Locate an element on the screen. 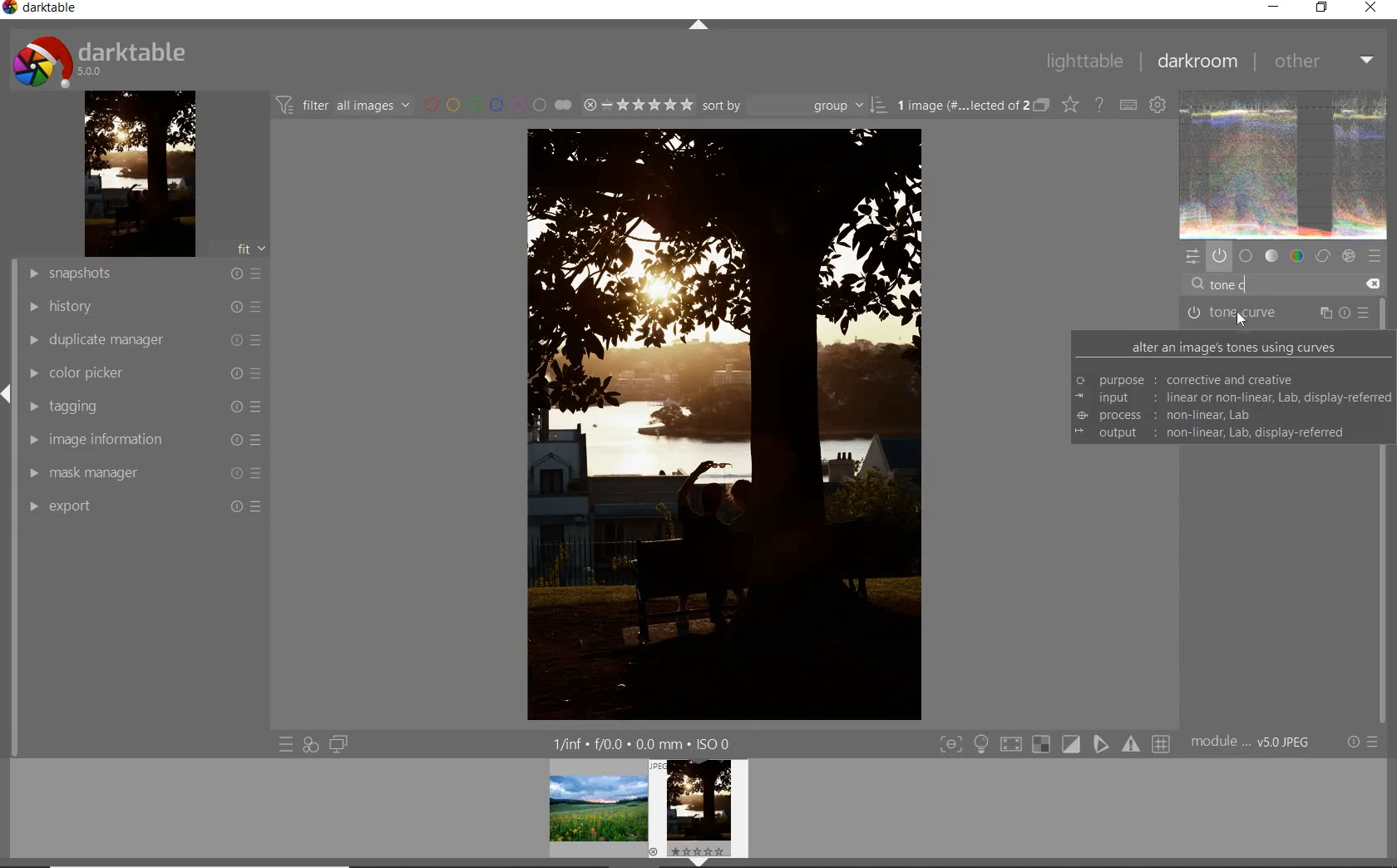 This screenshot has width=1397, height=868. toggle modes is located at coordinates (1054, 746).